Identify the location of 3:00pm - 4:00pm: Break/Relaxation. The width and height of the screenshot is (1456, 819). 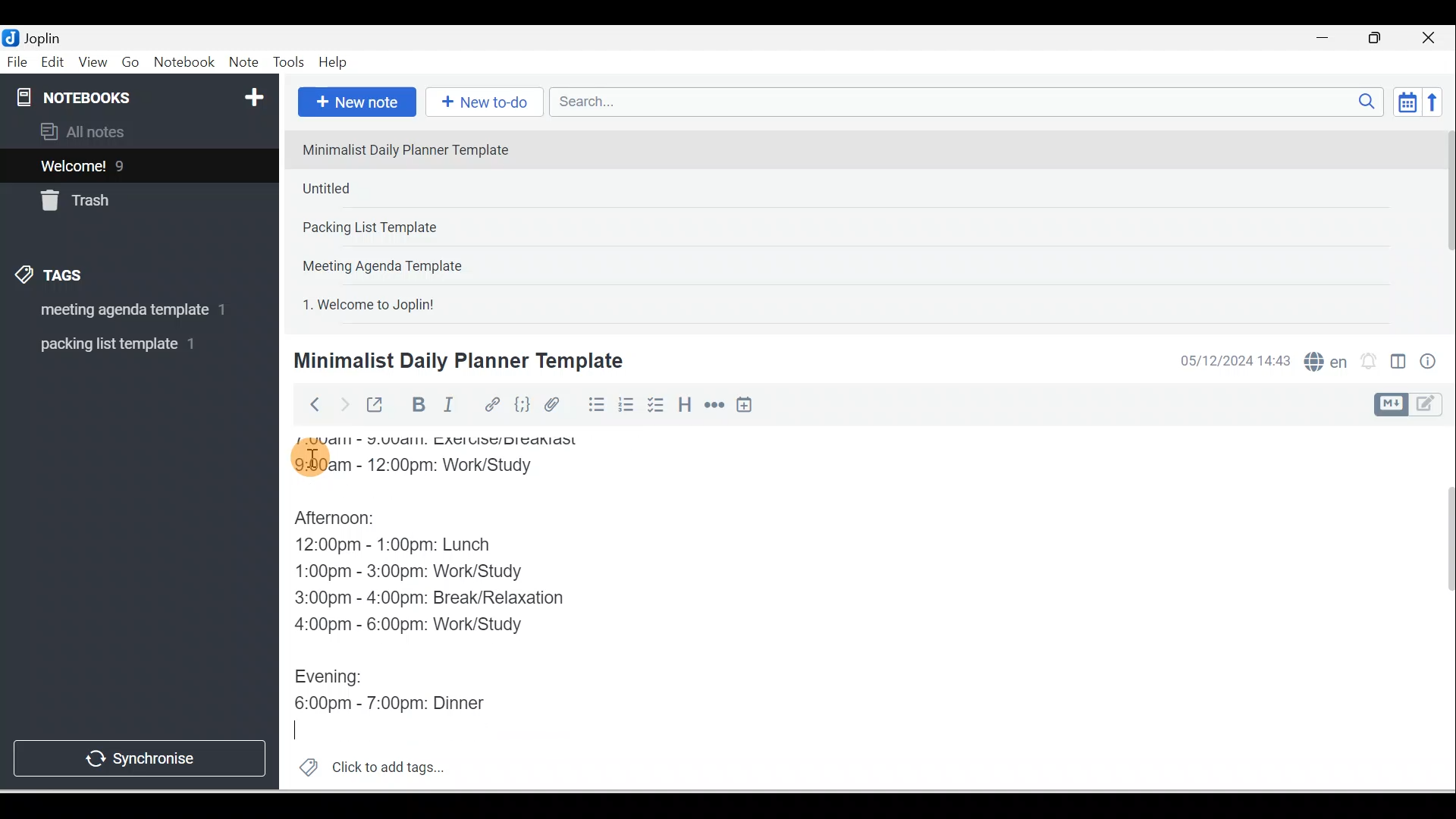
(462, 598).